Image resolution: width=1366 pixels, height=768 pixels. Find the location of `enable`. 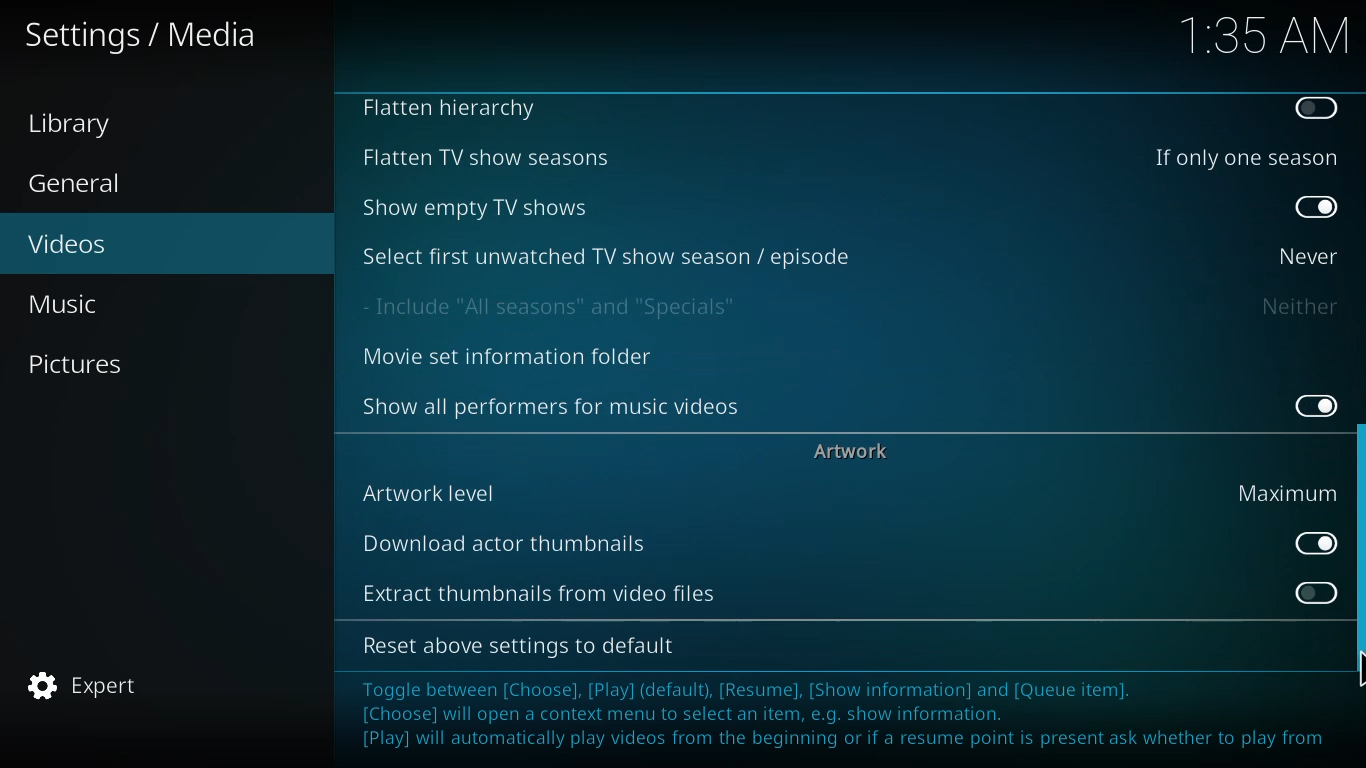

enable is located at coordinates (1315, 108).